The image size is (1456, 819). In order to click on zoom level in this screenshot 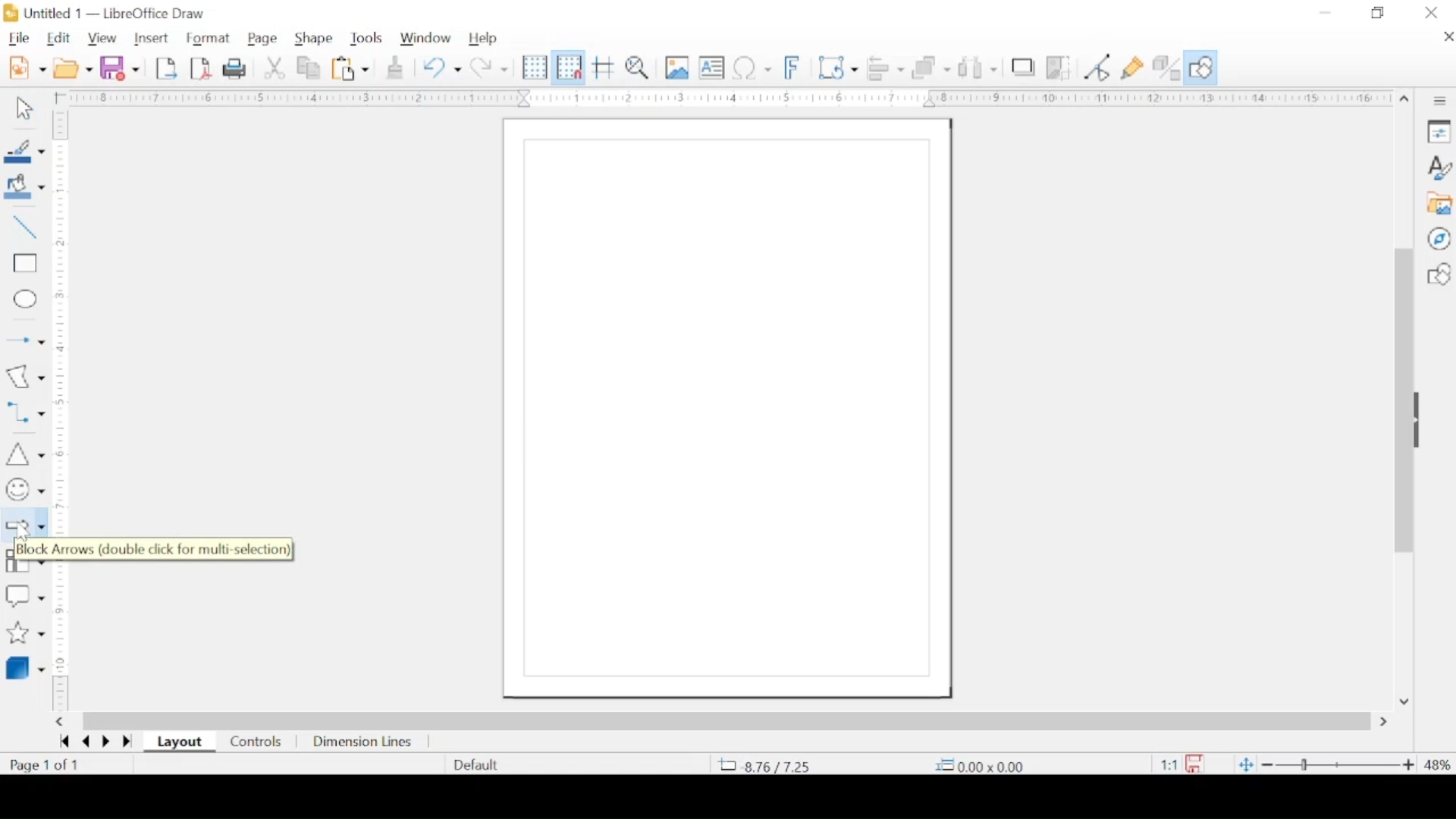, I will do `click(1438, 766)`.